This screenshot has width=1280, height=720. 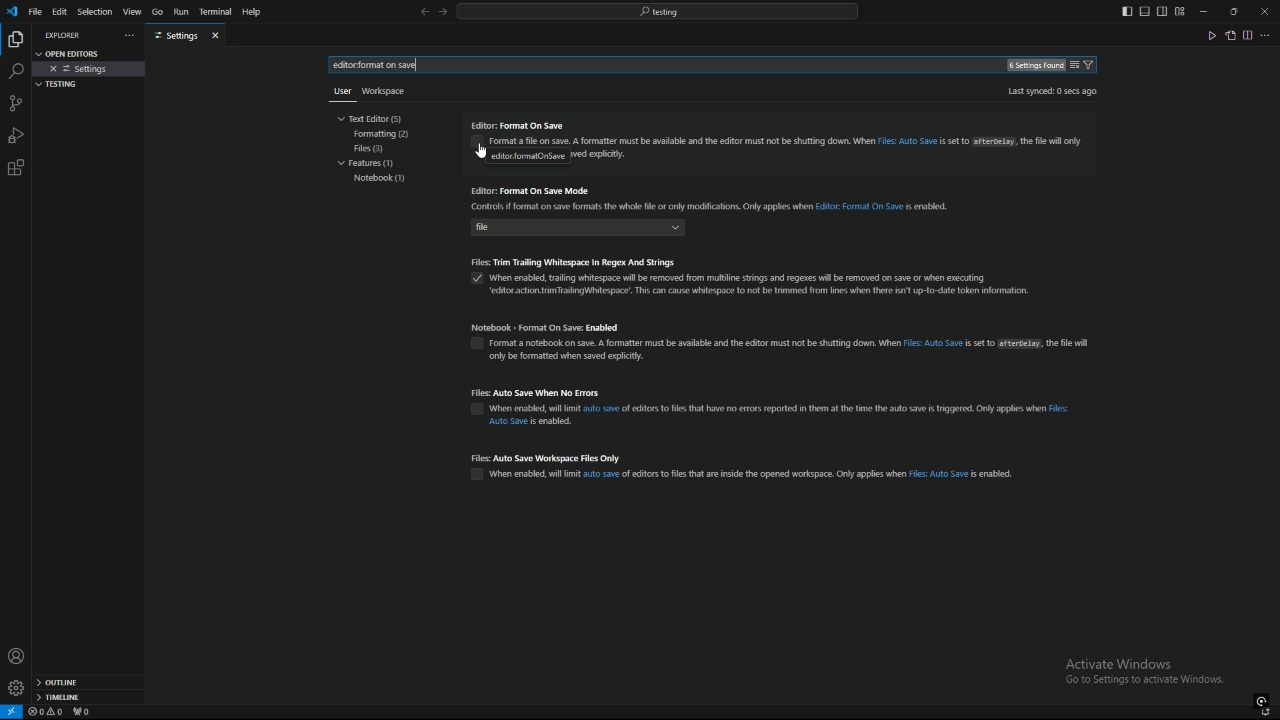 What do you see at coordinates (776, 408) in the screenshot?
I see `files auto save when no errors` at bounding box center [776, 408].